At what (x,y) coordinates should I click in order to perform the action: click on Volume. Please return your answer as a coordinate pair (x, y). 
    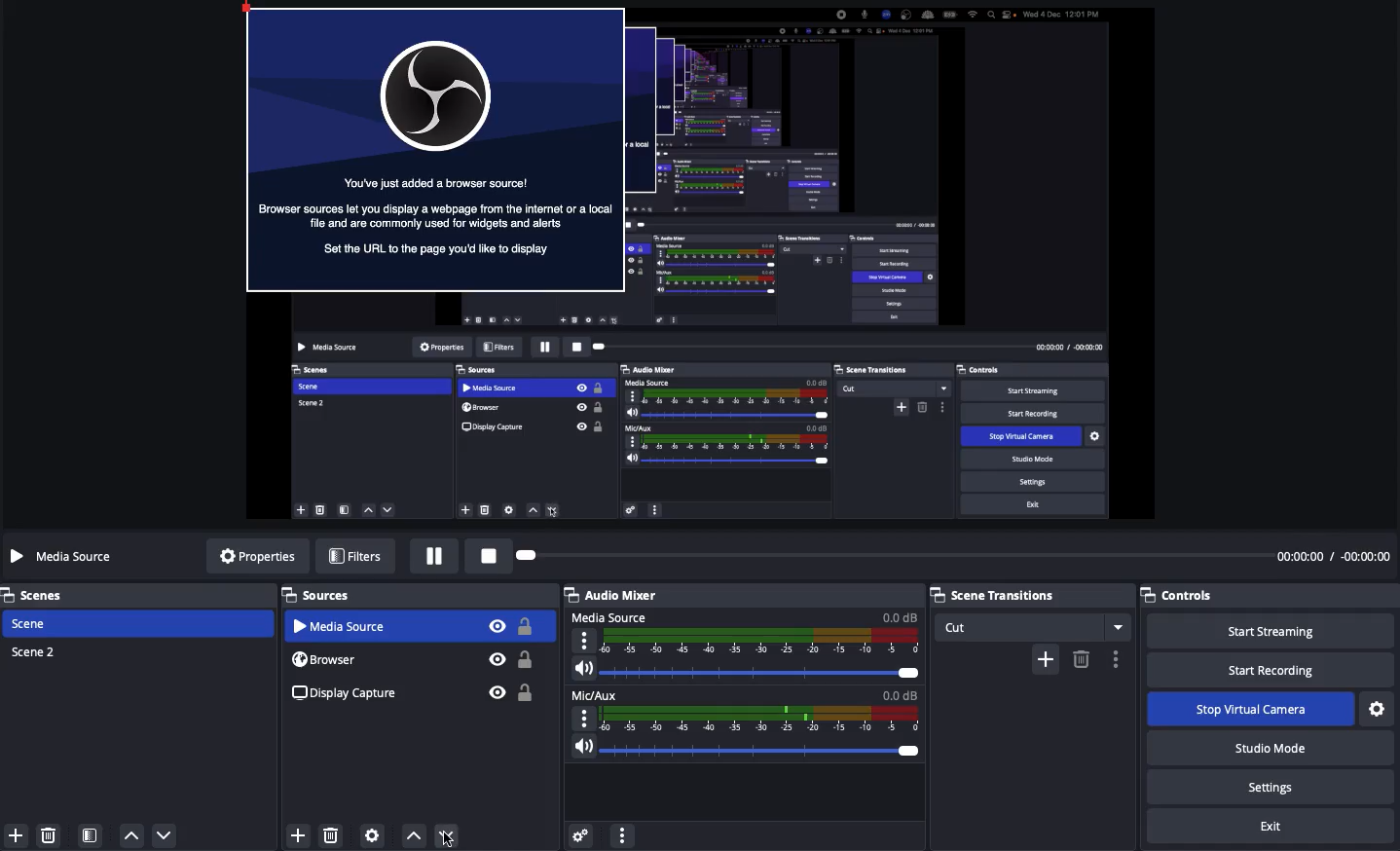
    Looking at the image, I should click on (746, 668).